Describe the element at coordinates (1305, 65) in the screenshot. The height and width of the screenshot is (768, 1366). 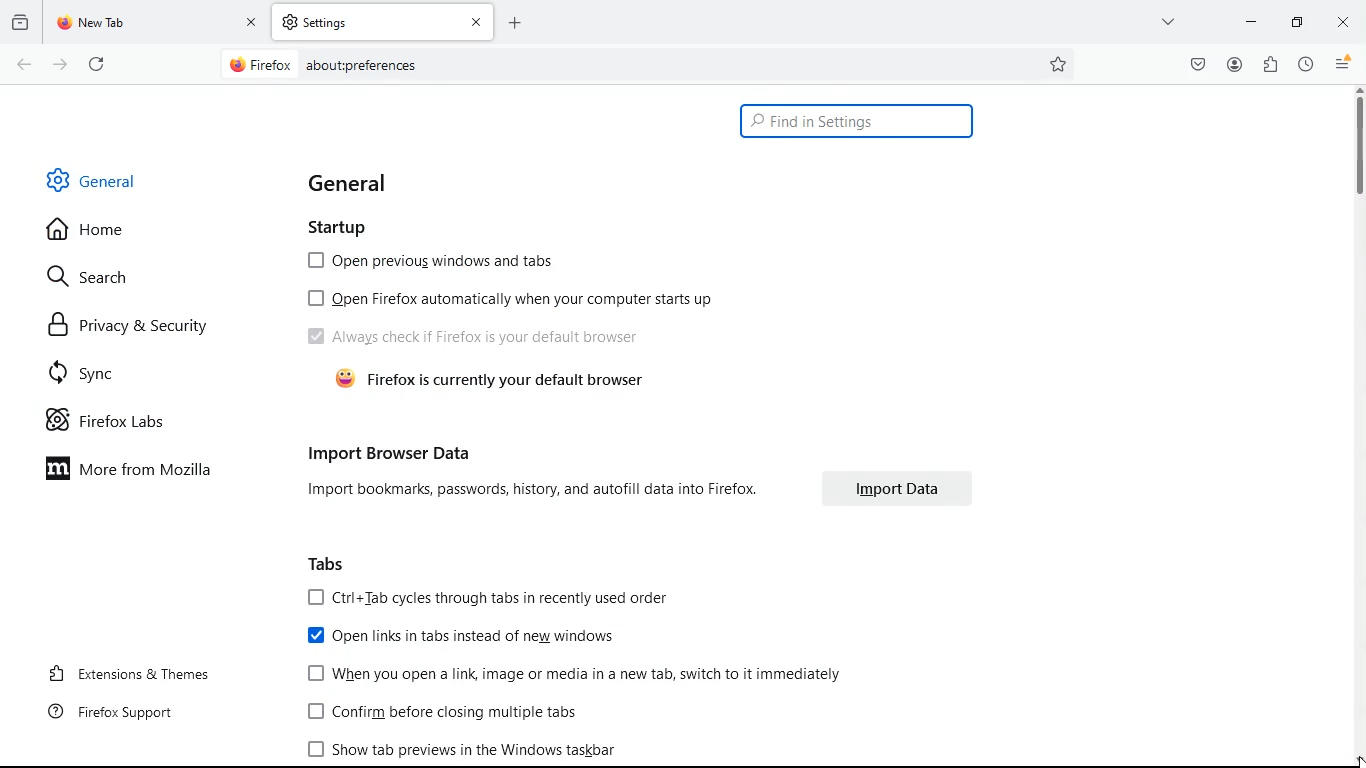
I see `history` at that location.